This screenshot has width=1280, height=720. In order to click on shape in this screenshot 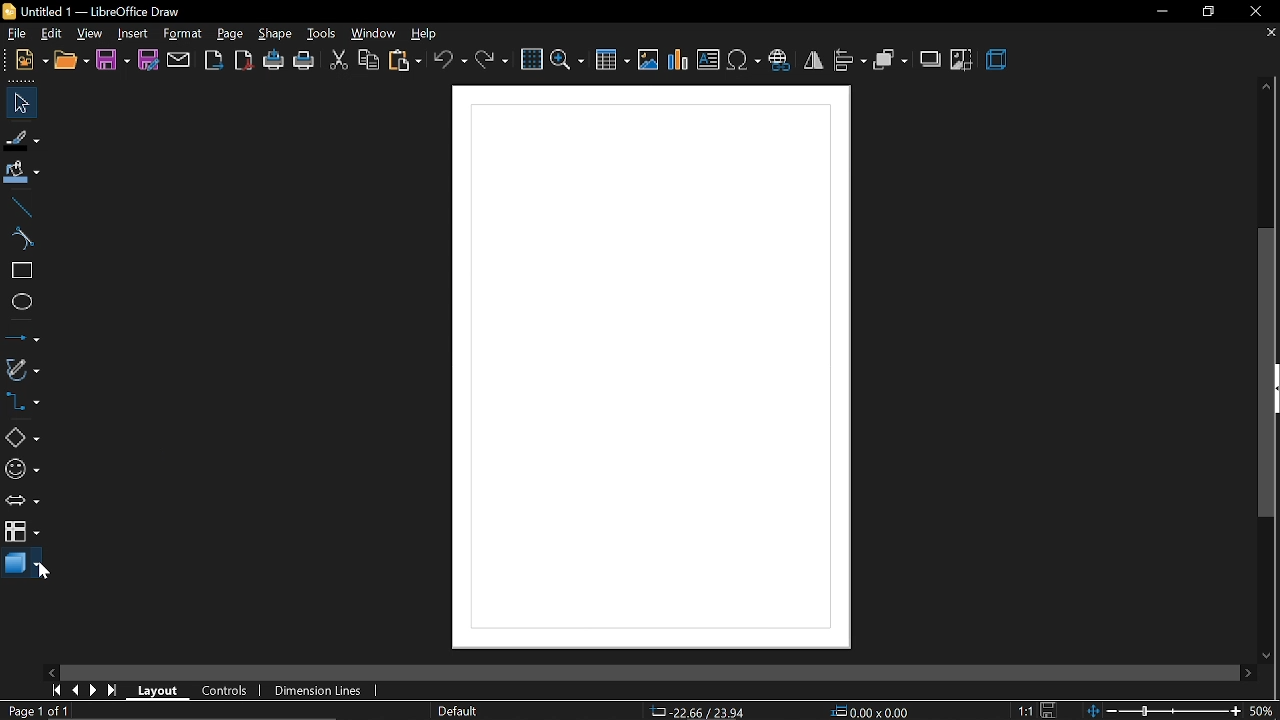, I will do `click(277, 35)`.